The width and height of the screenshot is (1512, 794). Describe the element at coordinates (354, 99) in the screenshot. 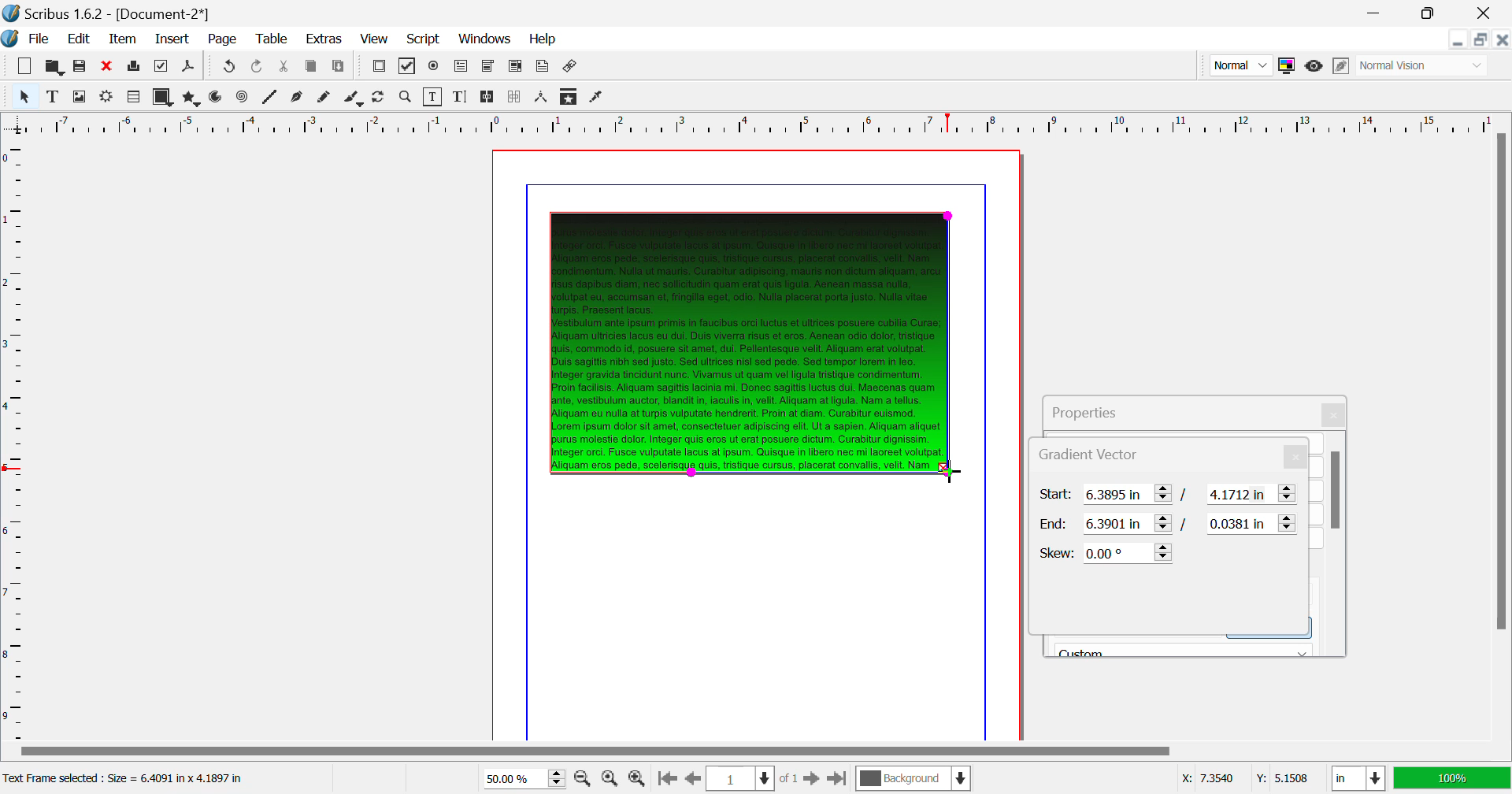

I see `Calligraphic Line` at that location.